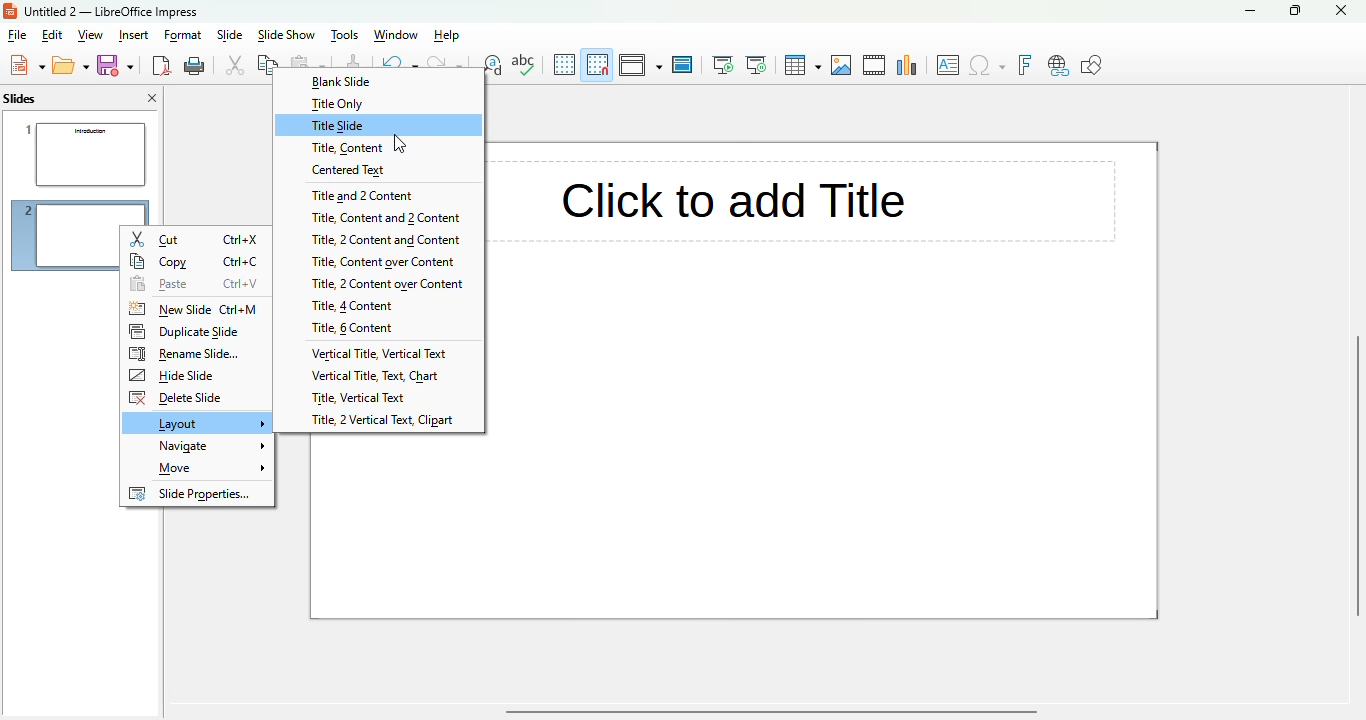 The height and width of the screenshot is (720, 1366). What do you see at coordinates (843, 65) in the screenshot?
I see `insert image` at bounding box center [843, 65].